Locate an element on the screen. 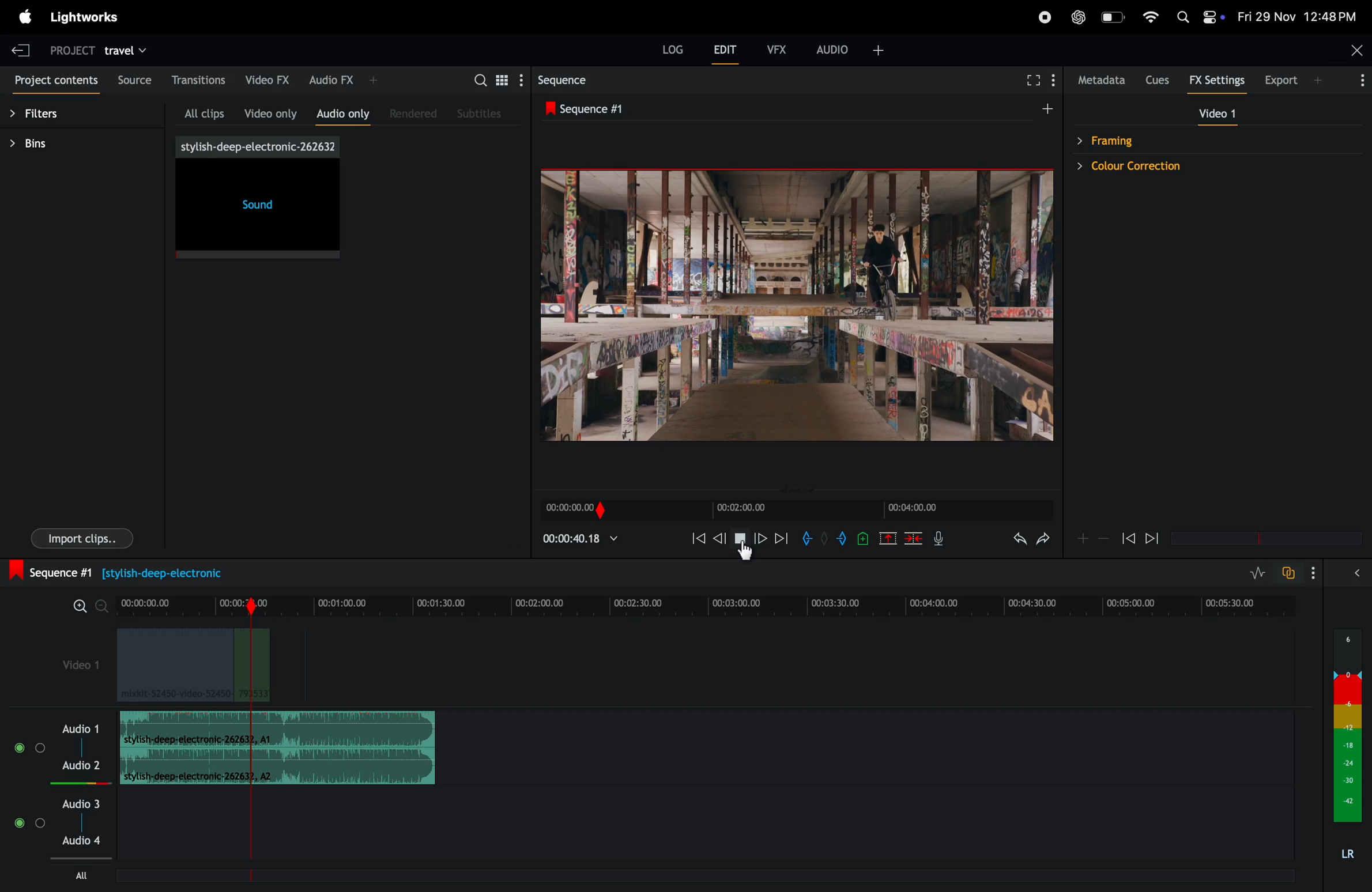 The image size is (1372, 892). video 1 is located at coordinates (78, 668).